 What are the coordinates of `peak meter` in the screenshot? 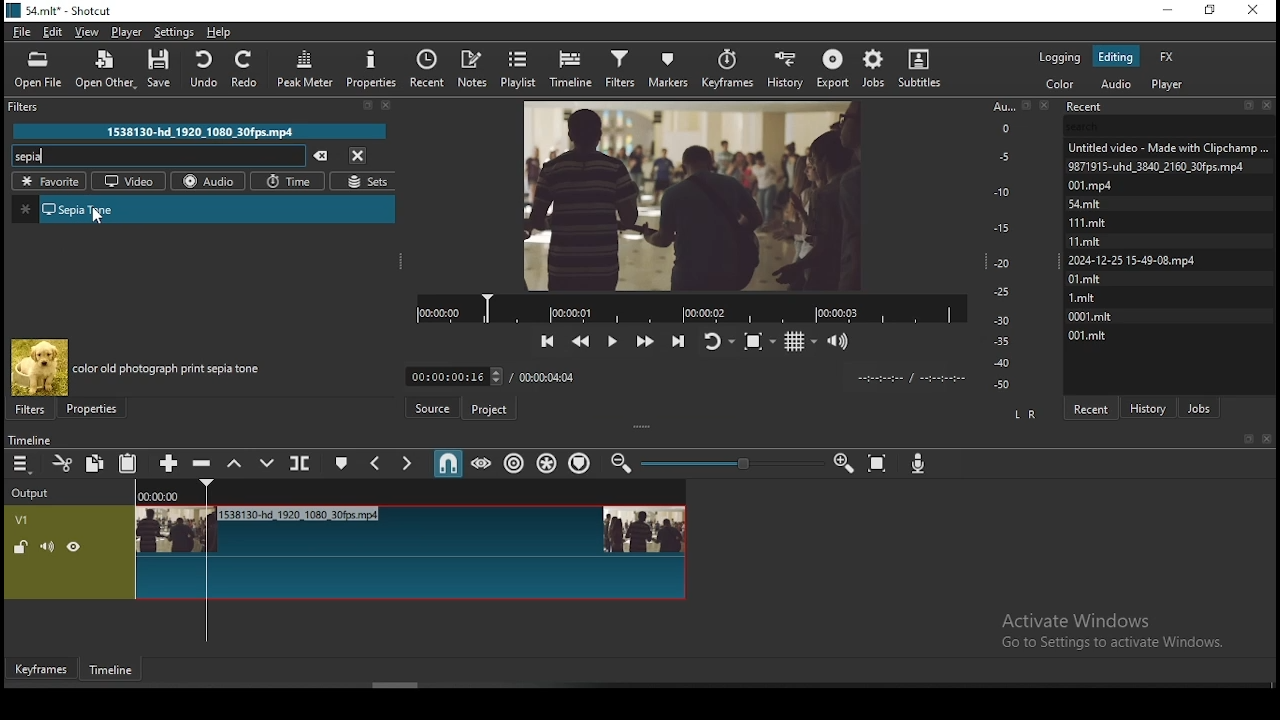 It's located at (303, 68).